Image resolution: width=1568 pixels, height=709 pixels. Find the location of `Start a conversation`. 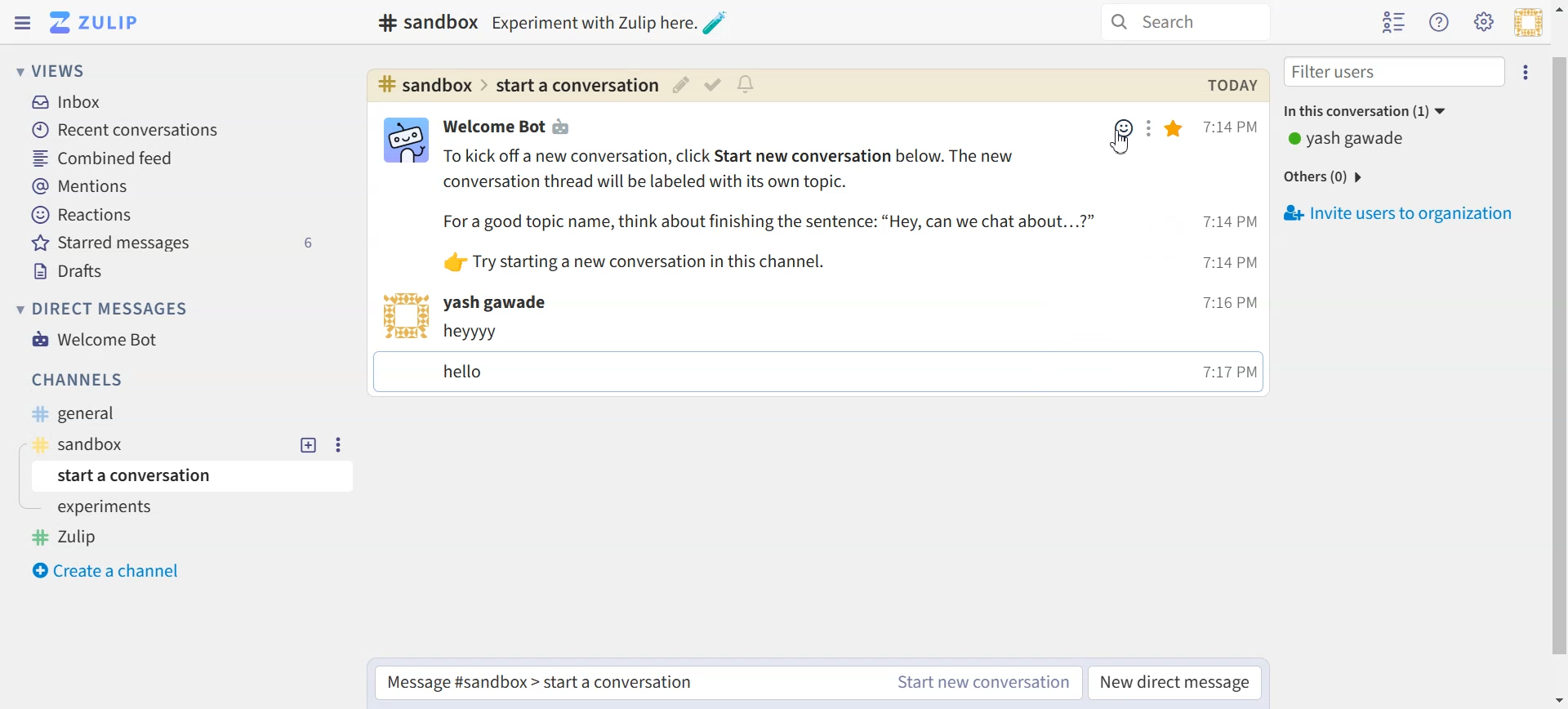

Start a conversation is located at coordinates (196, 475).